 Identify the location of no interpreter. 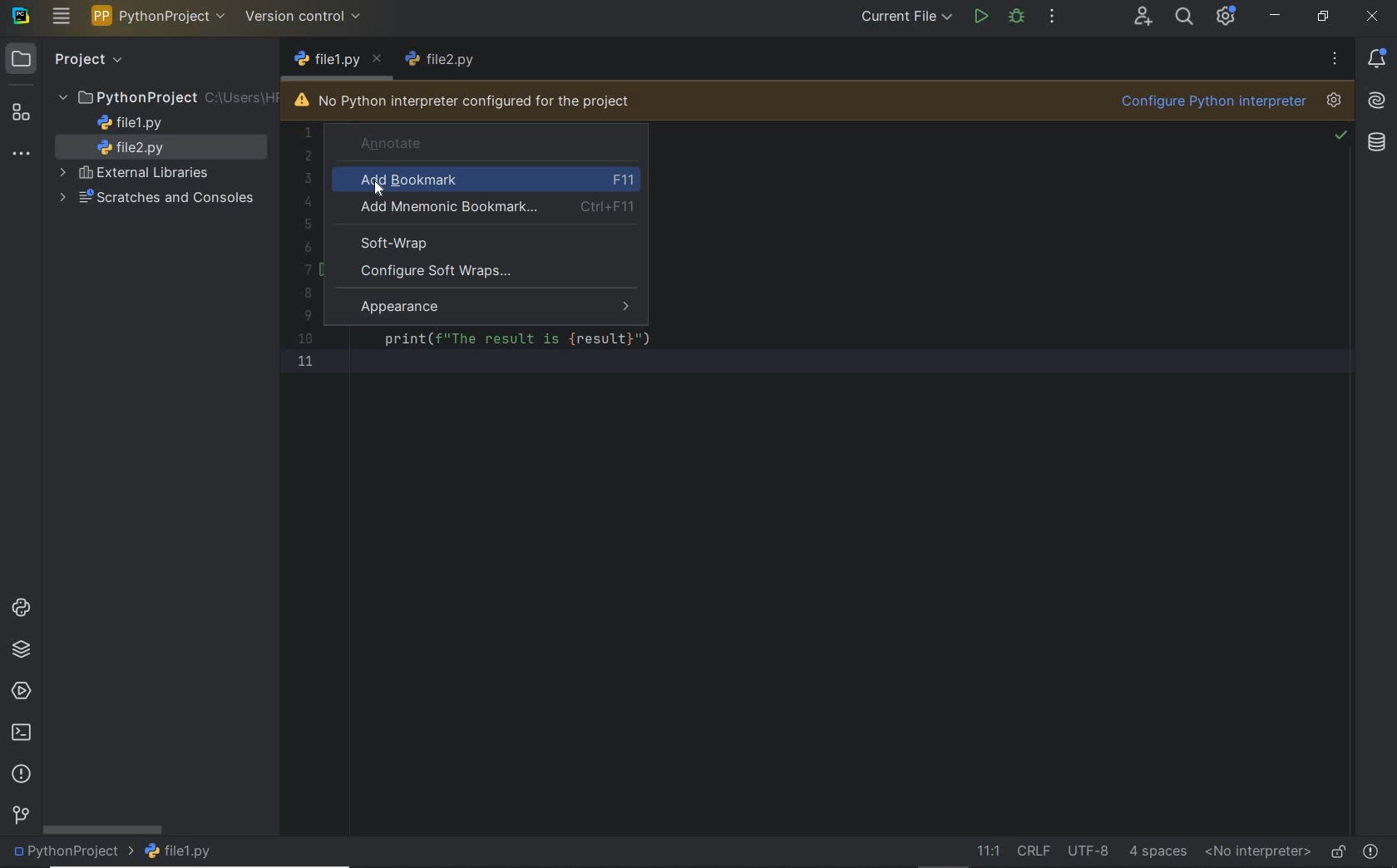
(1257, 852).